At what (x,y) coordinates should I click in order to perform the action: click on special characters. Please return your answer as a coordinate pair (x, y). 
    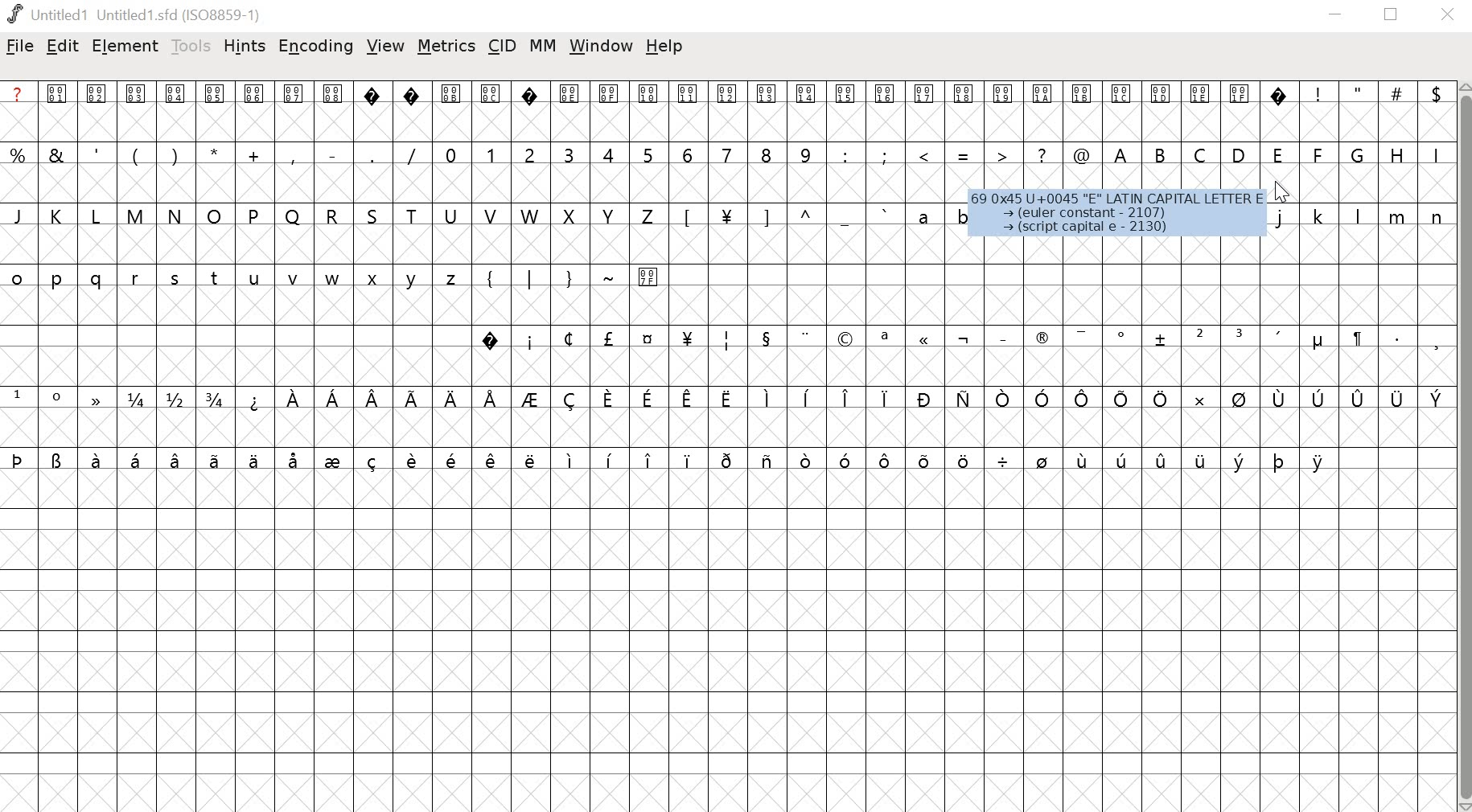
    Looking at the image, I should click on (960, 338).